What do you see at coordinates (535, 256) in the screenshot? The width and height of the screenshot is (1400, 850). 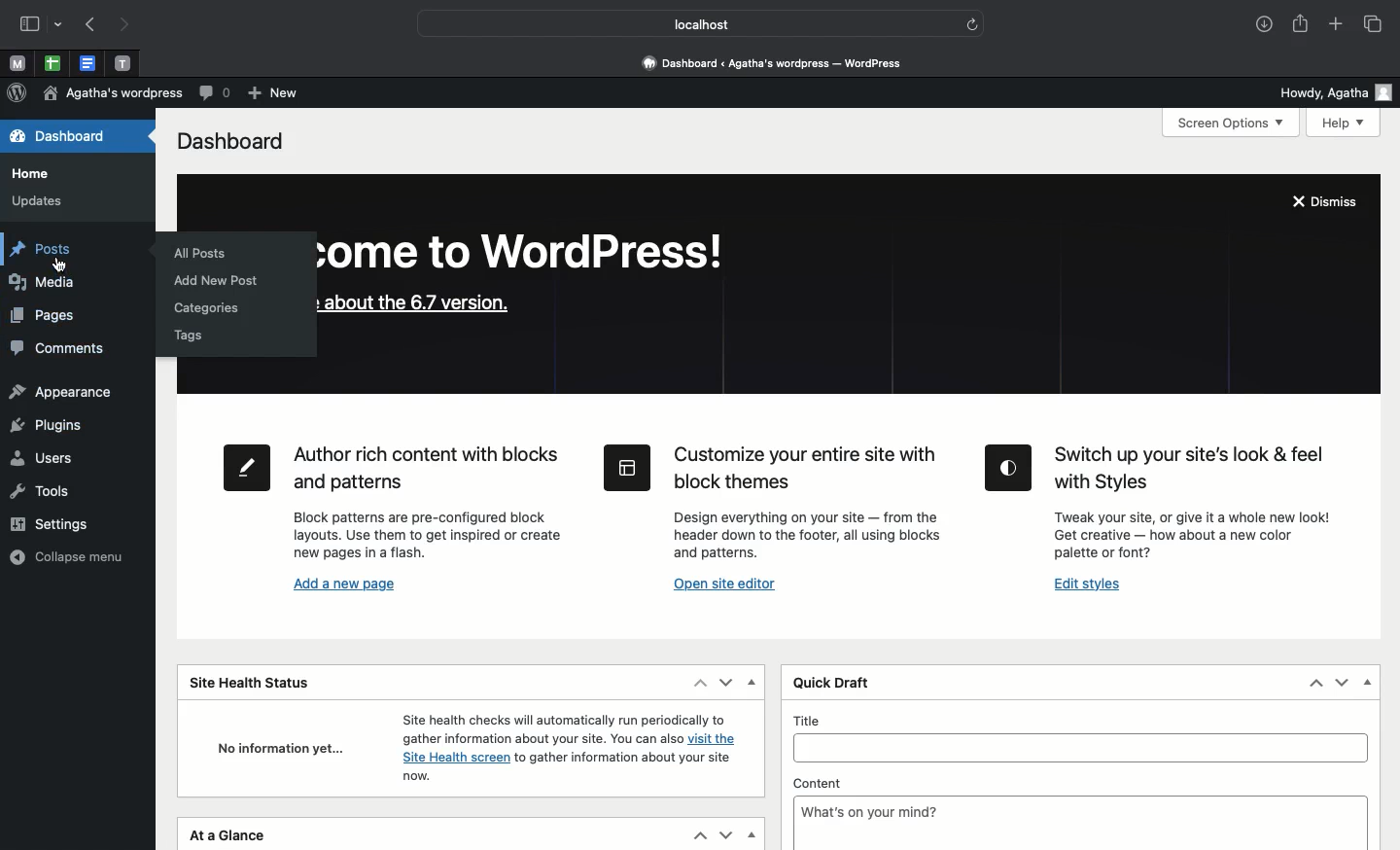 I see `come to Wordpress` at bounding box center [535, 256].